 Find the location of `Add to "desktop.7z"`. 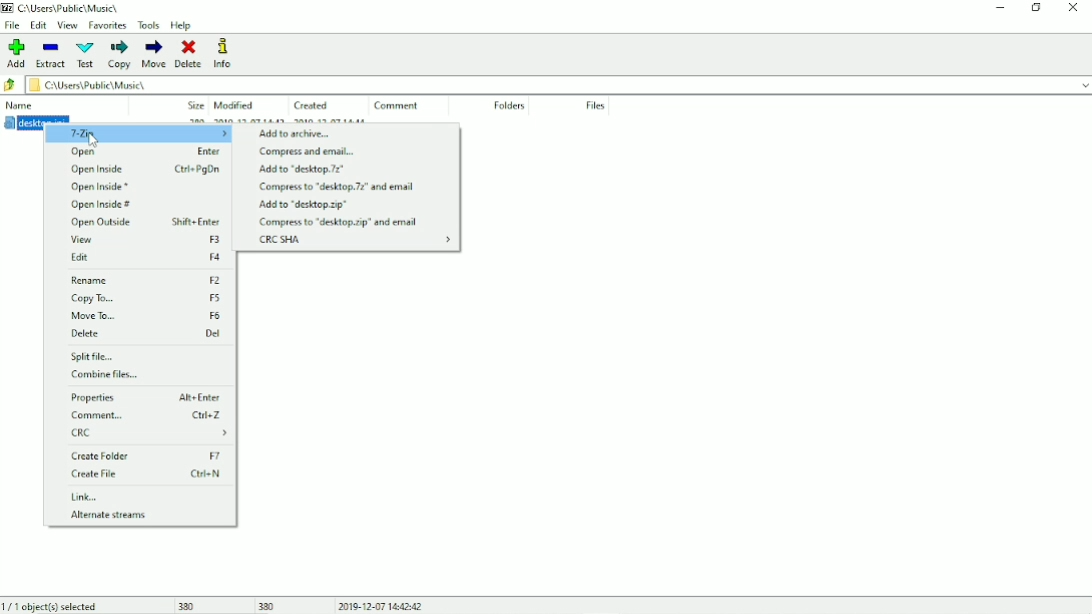

Add to "desktop.7z" is located at coordinates (304, 171).